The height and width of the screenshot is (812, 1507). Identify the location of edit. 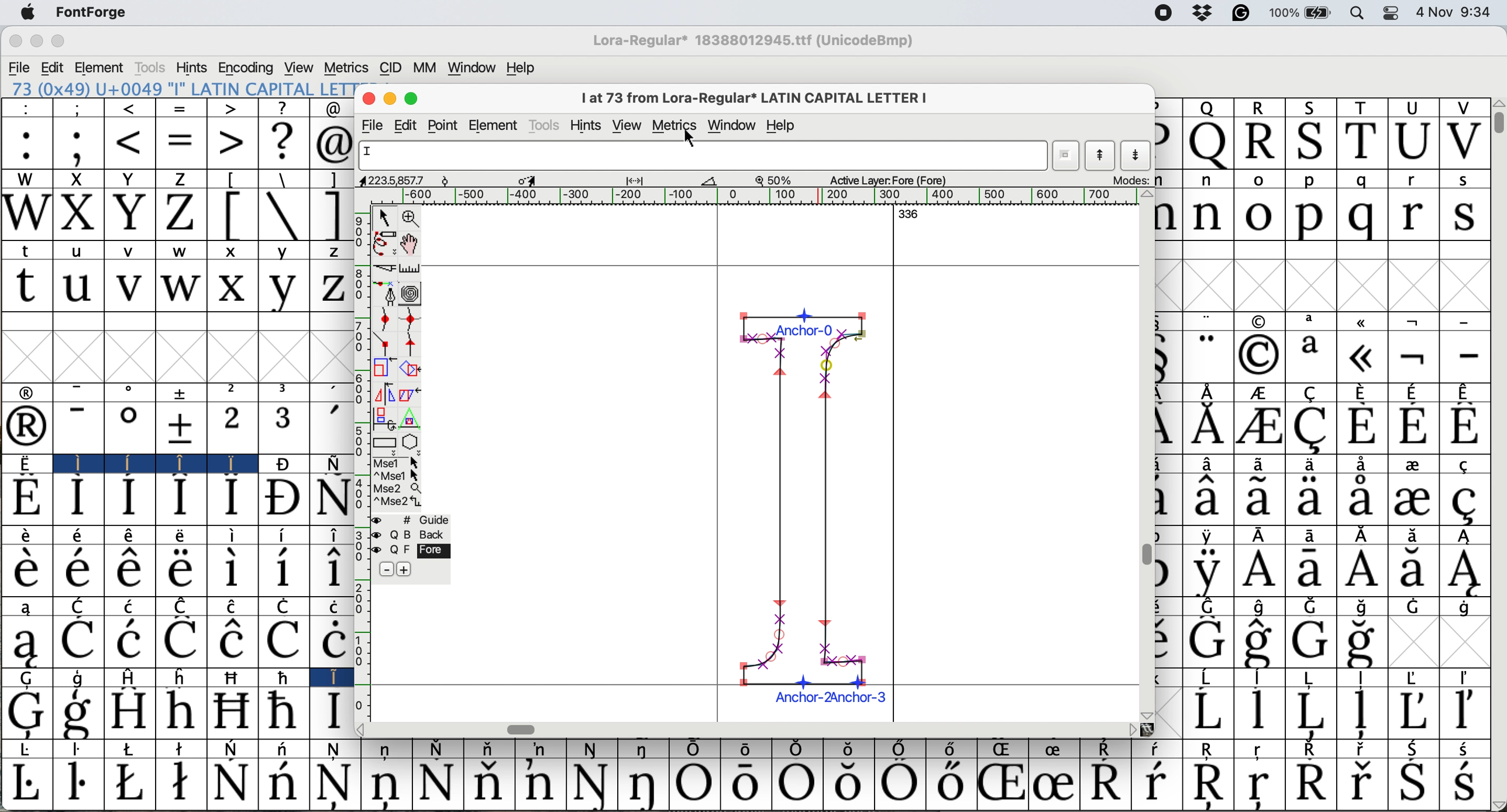
(408, 125).